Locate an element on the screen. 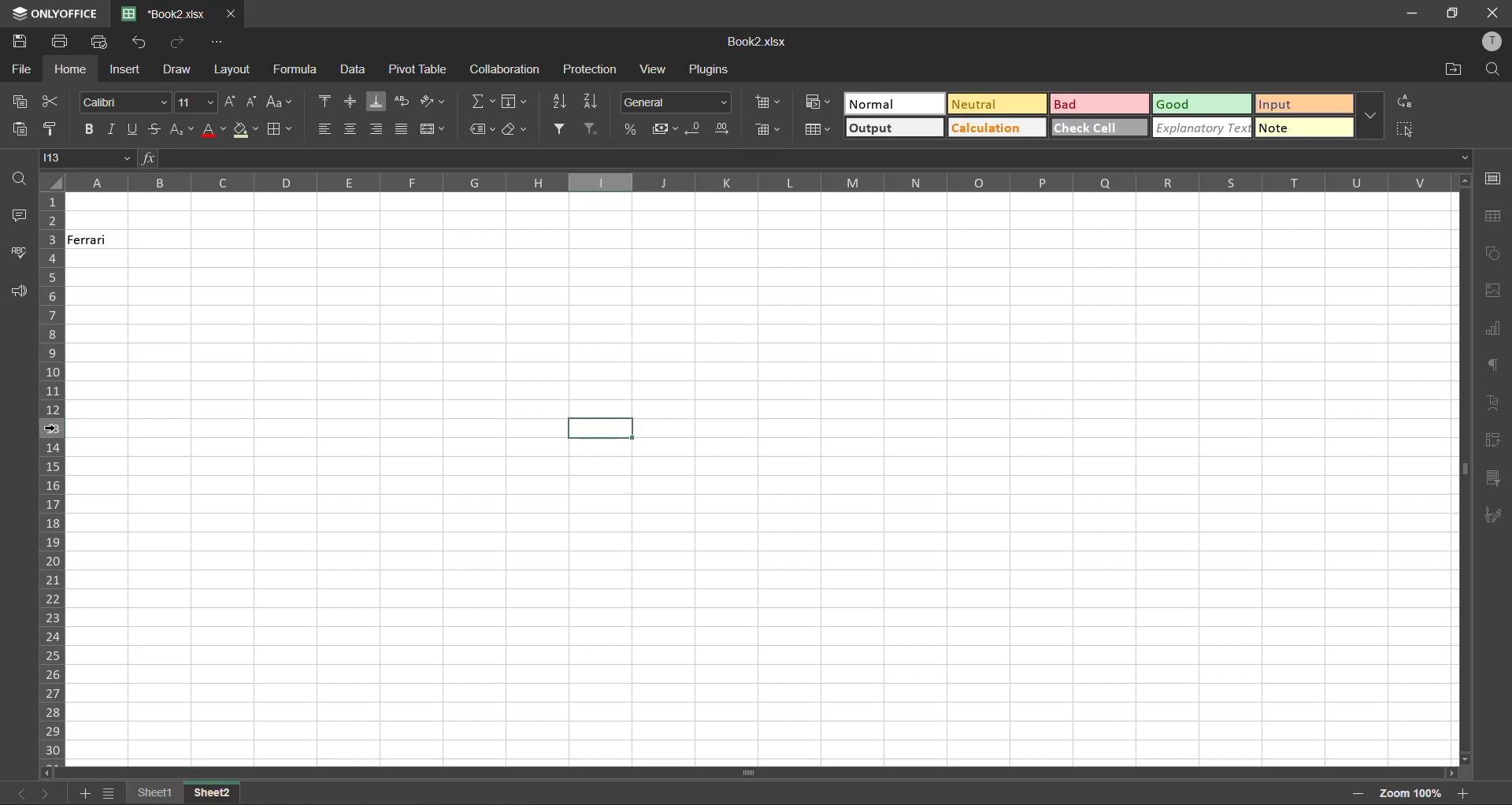  layout is located at coordinates (231, 70).